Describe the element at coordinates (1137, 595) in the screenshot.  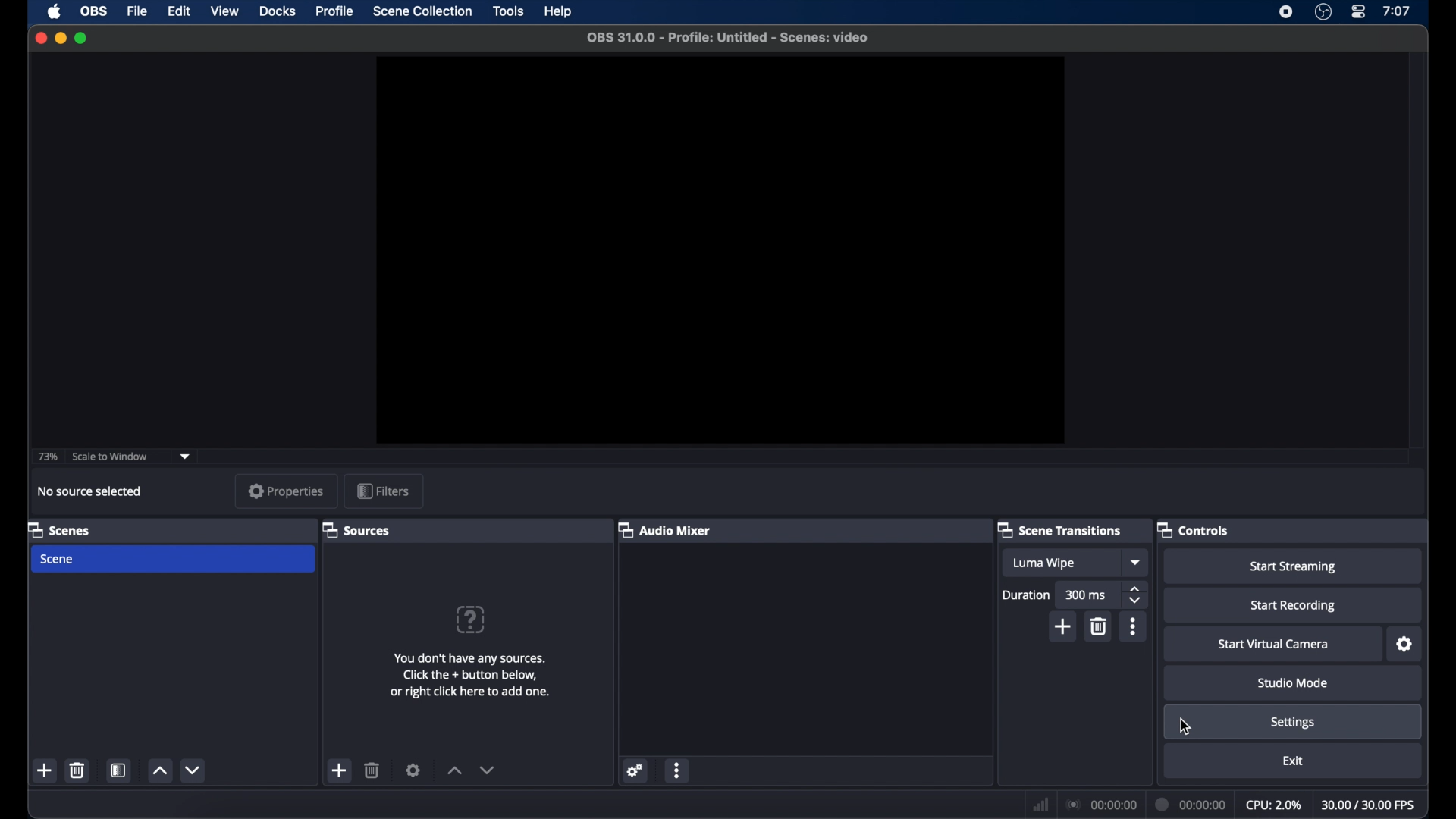
I see `stepper buttons` at that location.